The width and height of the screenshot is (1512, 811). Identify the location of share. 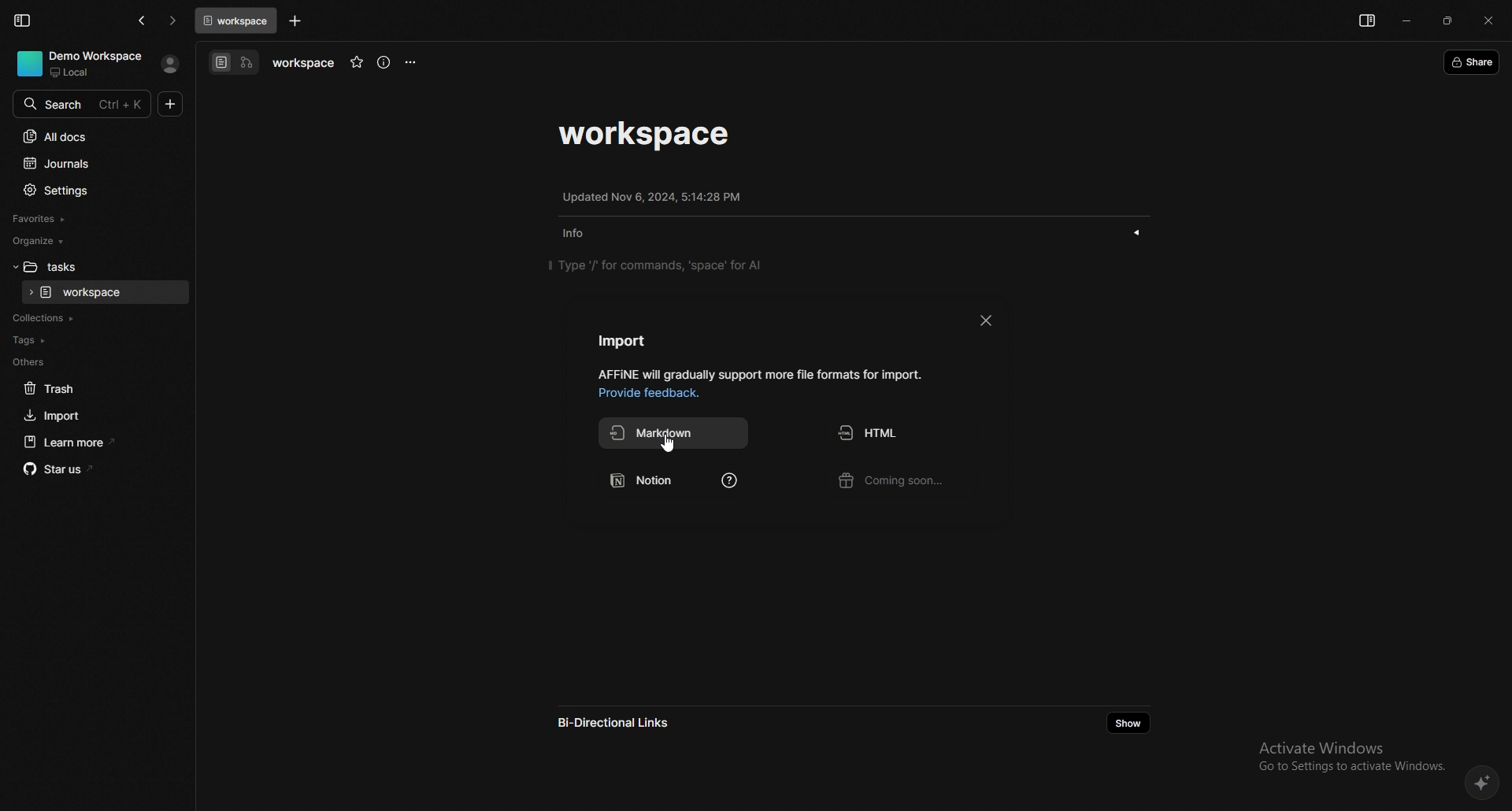
(1473, 61).